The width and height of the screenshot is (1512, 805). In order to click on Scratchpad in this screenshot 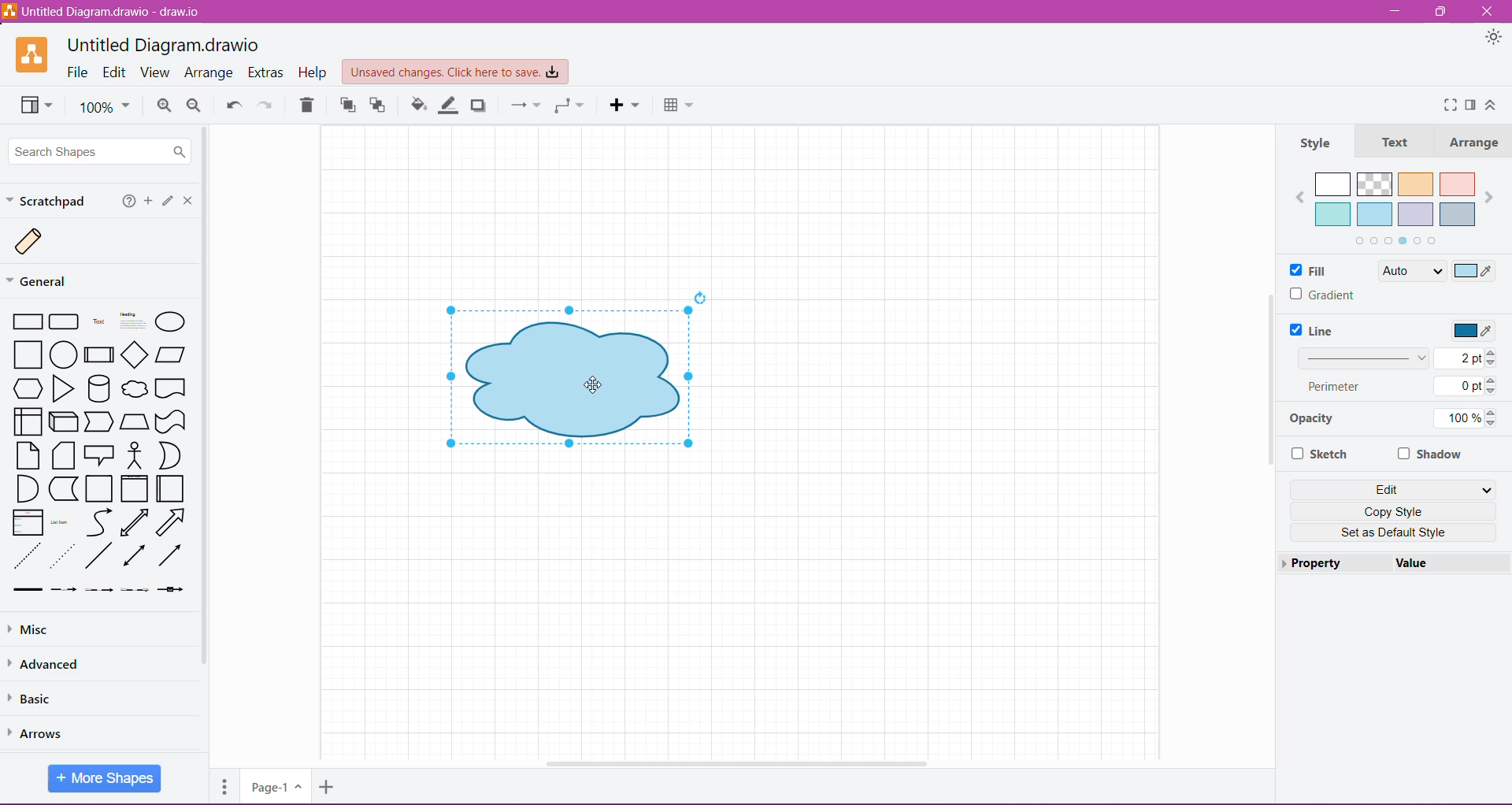, I will do `click(49, 201)`.